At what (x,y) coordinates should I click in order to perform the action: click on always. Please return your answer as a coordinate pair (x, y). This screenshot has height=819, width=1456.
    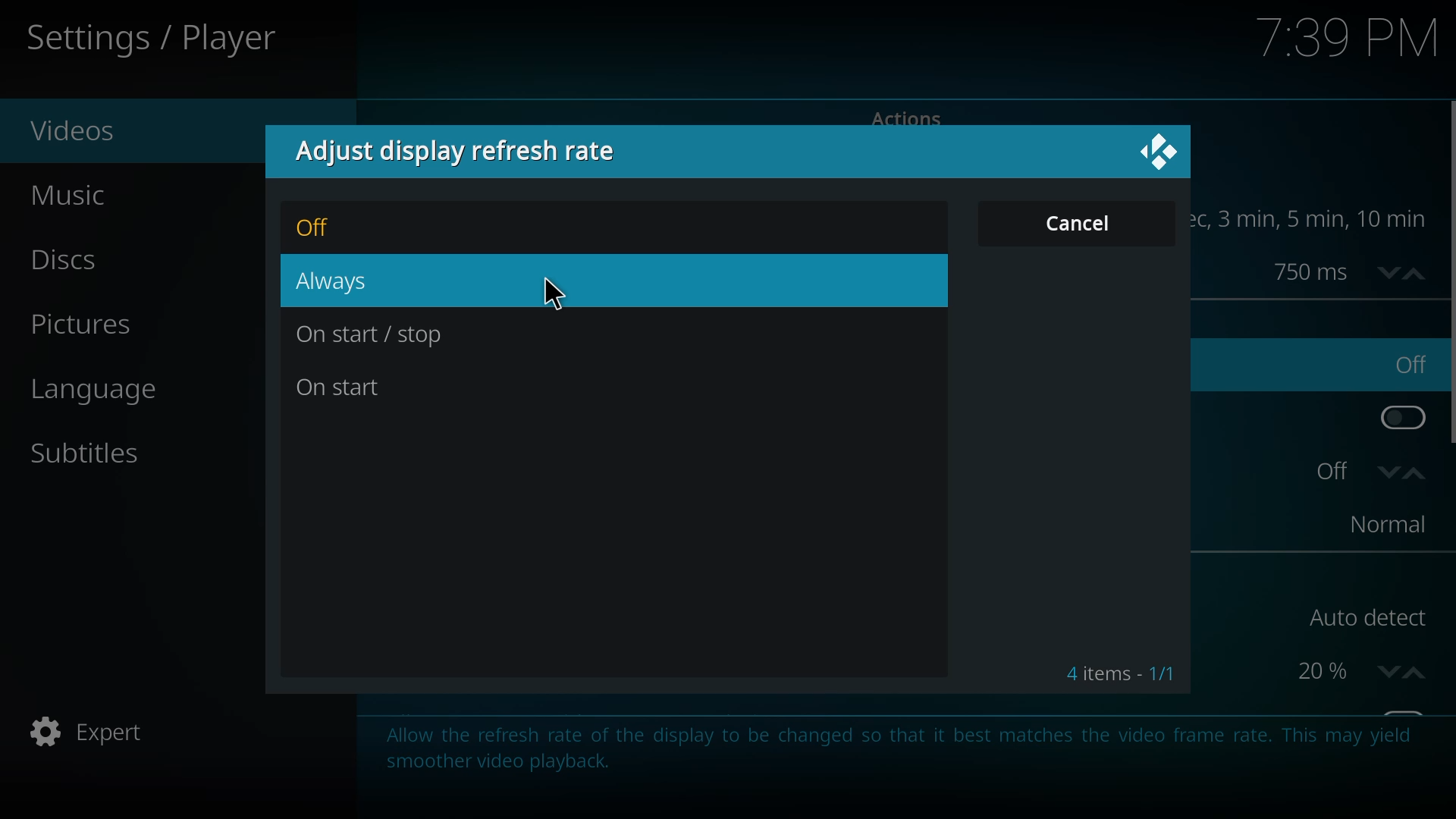
    Looking at the image, I should click on (341, 281).